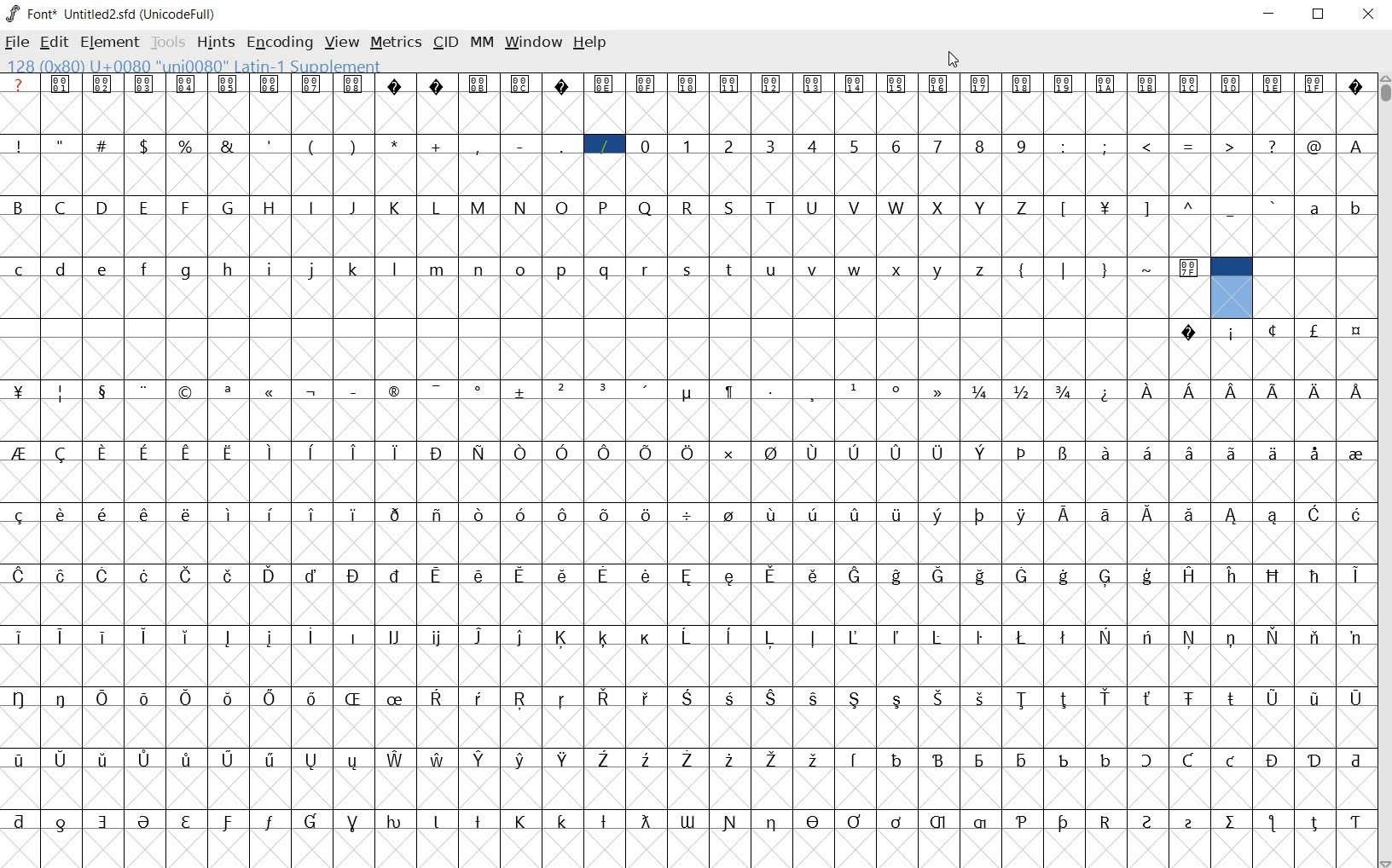  What do you see at coordinates (644, 636) in the screenshot?
I see `Symbol` at bounding box center [644, 636].